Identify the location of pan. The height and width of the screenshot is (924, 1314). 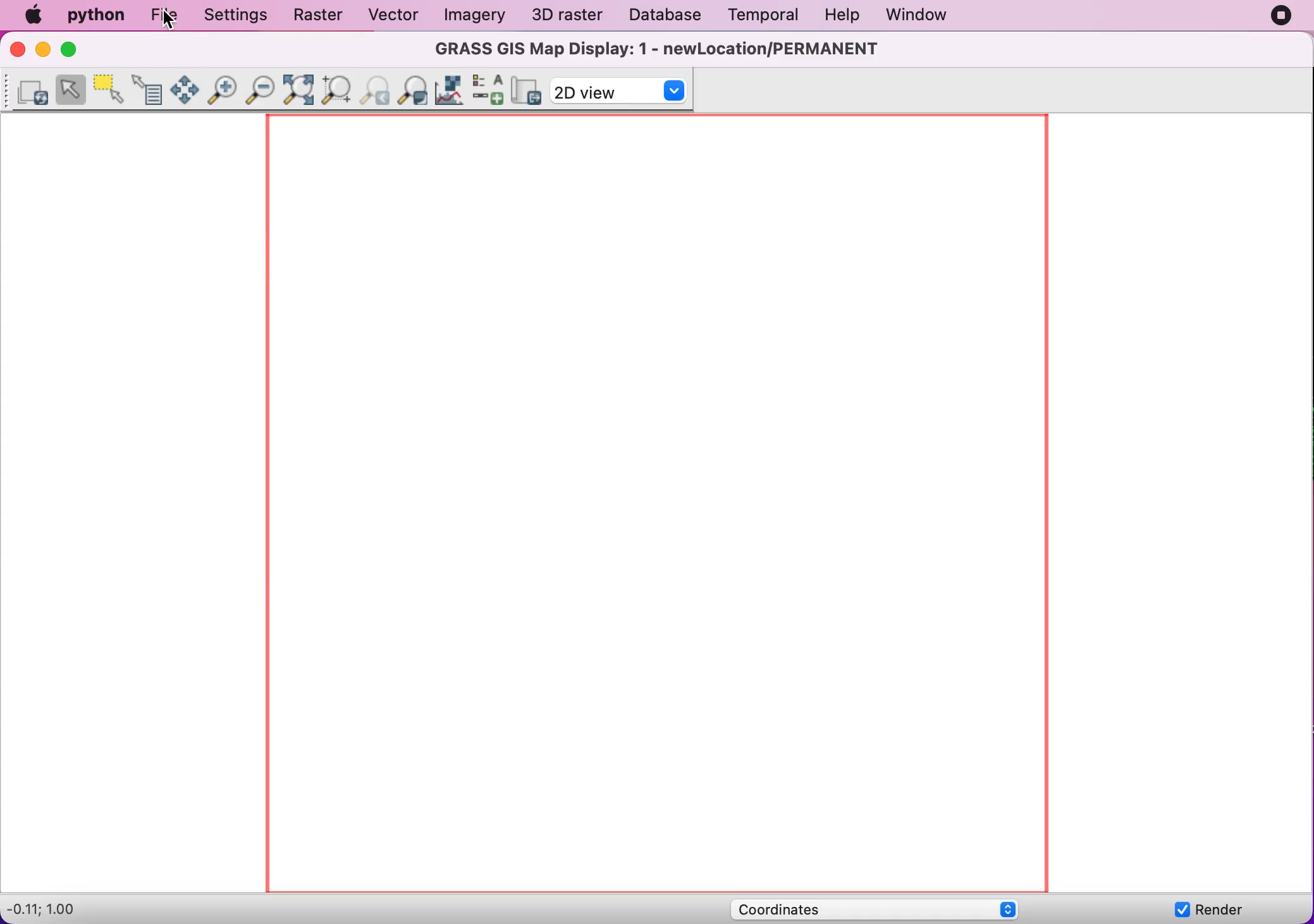
(185, 89).